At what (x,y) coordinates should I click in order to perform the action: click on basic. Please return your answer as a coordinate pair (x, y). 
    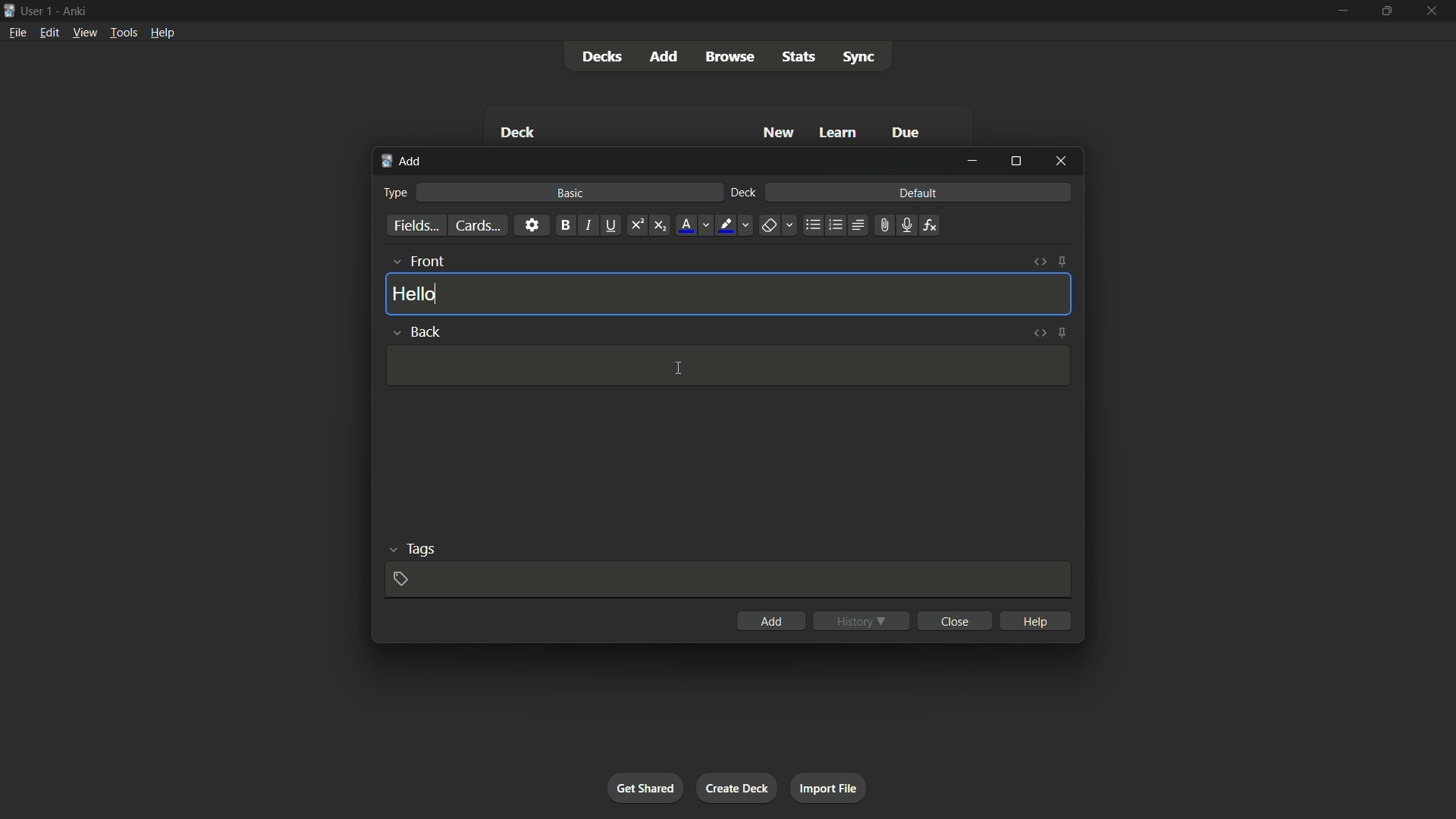
    Looking at the image, I should click on (568, 193).